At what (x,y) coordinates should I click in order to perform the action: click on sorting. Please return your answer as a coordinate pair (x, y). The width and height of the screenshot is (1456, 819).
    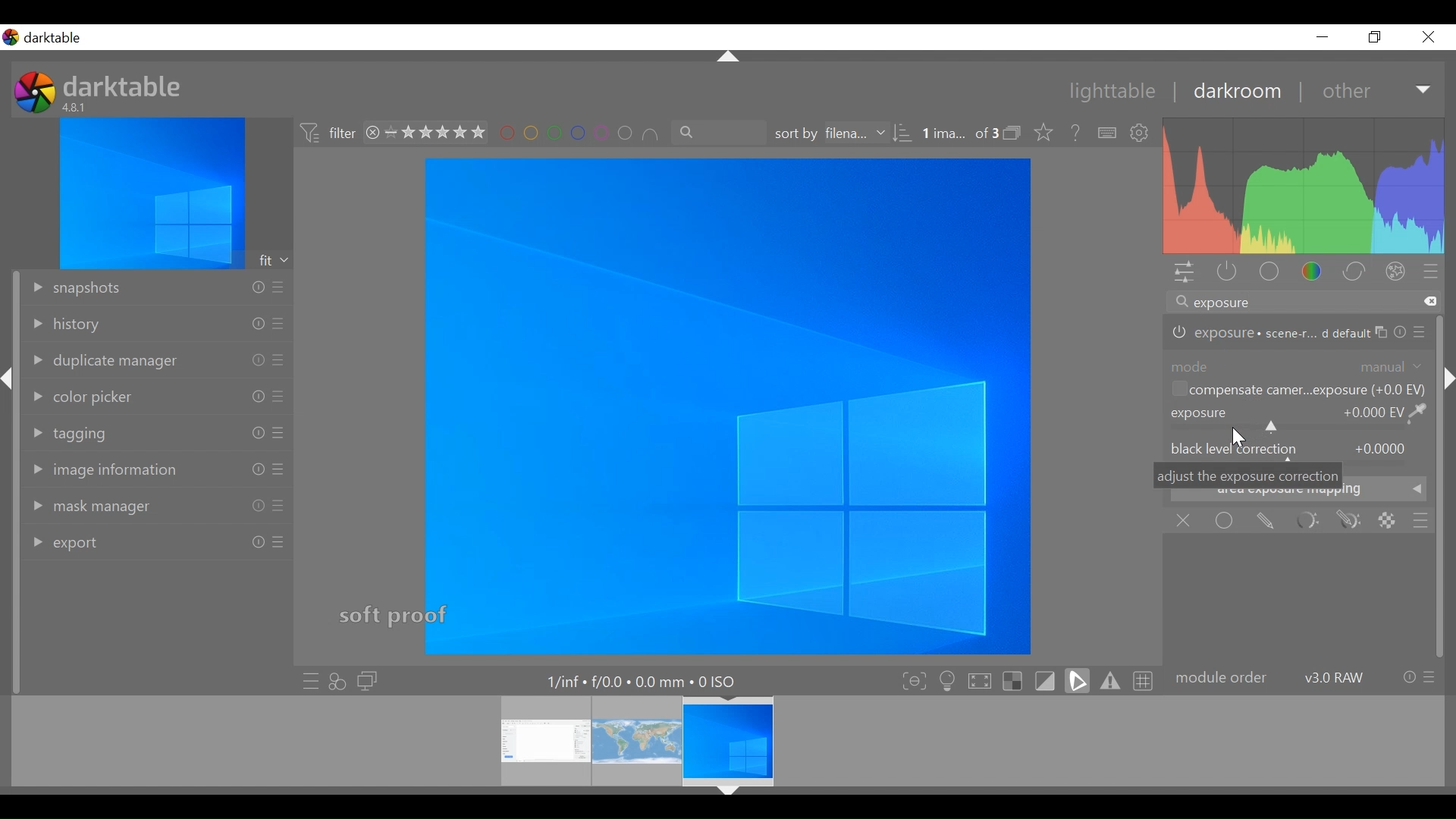
    Looking at the image, I should click on (905, 133).